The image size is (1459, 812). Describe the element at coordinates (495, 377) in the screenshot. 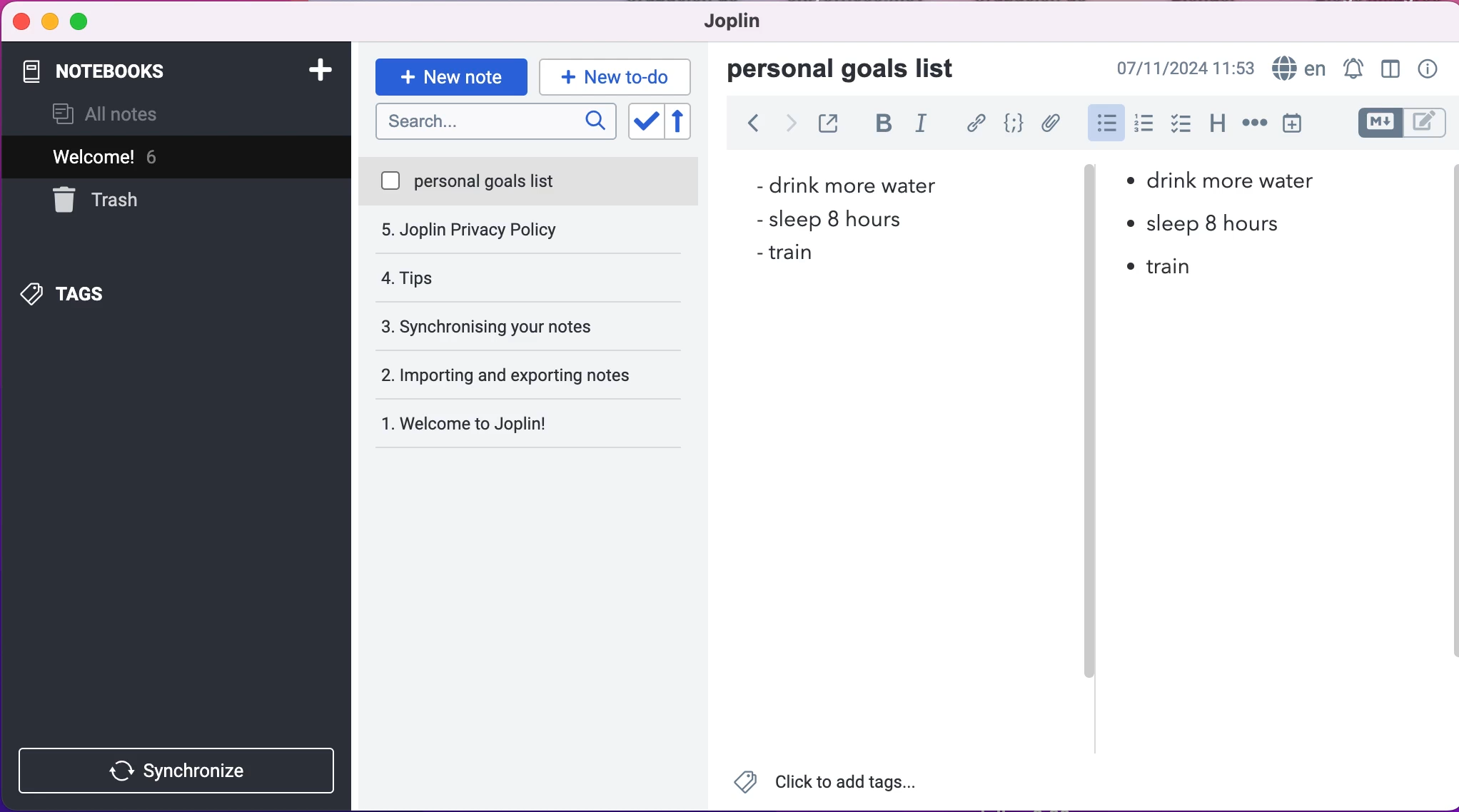

I see `welcome to joplin!` at that location.